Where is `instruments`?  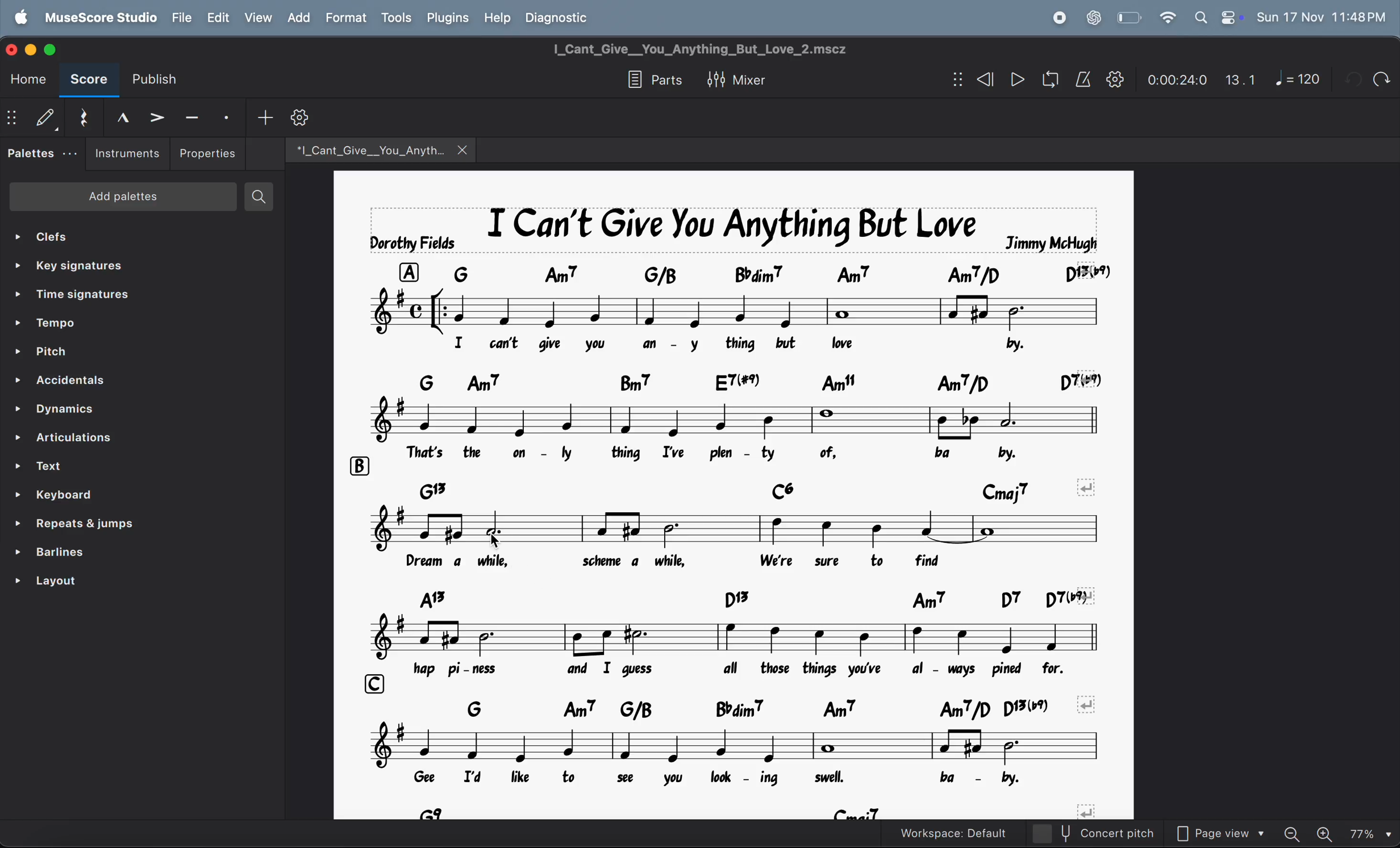 instruments is located at coordinates (128, 154).